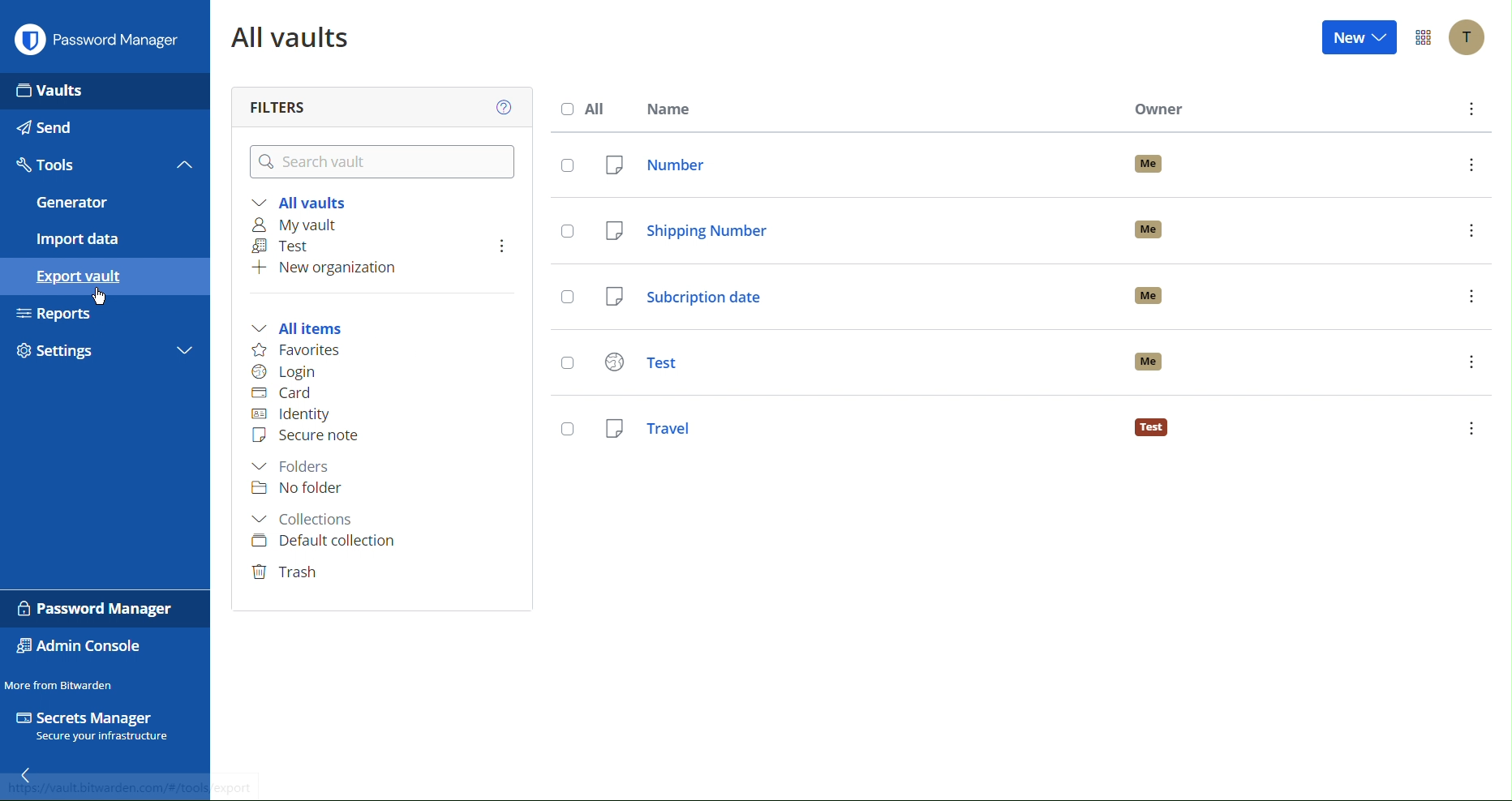 The width and height of the screenshot is (1512, 801). What do you see at coordinates (294, 32) in the screenshot?
I see `All Vaults` at bounding box center [294, 32].